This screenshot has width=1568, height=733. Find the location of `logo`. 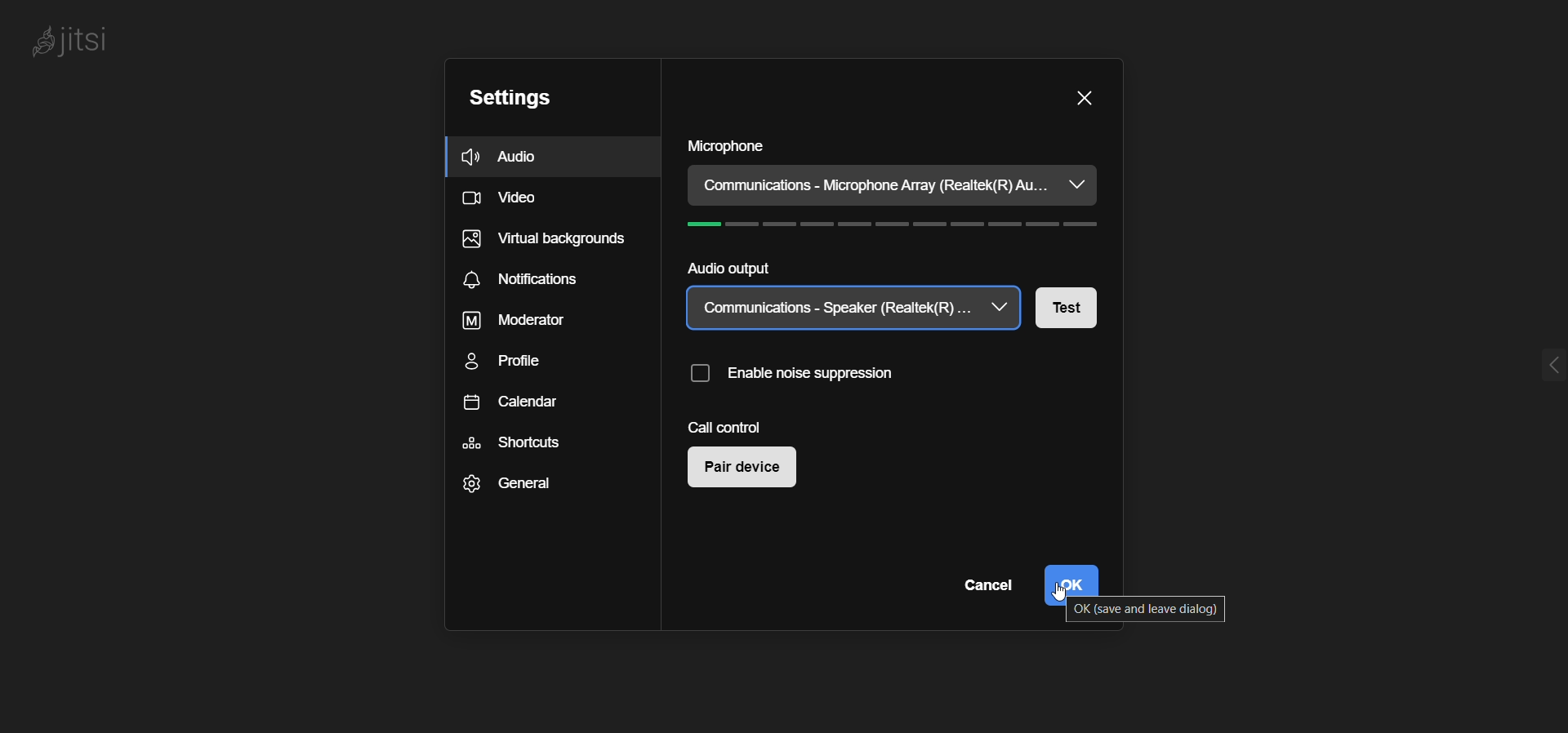

logo is located at coordinates (73, 42).